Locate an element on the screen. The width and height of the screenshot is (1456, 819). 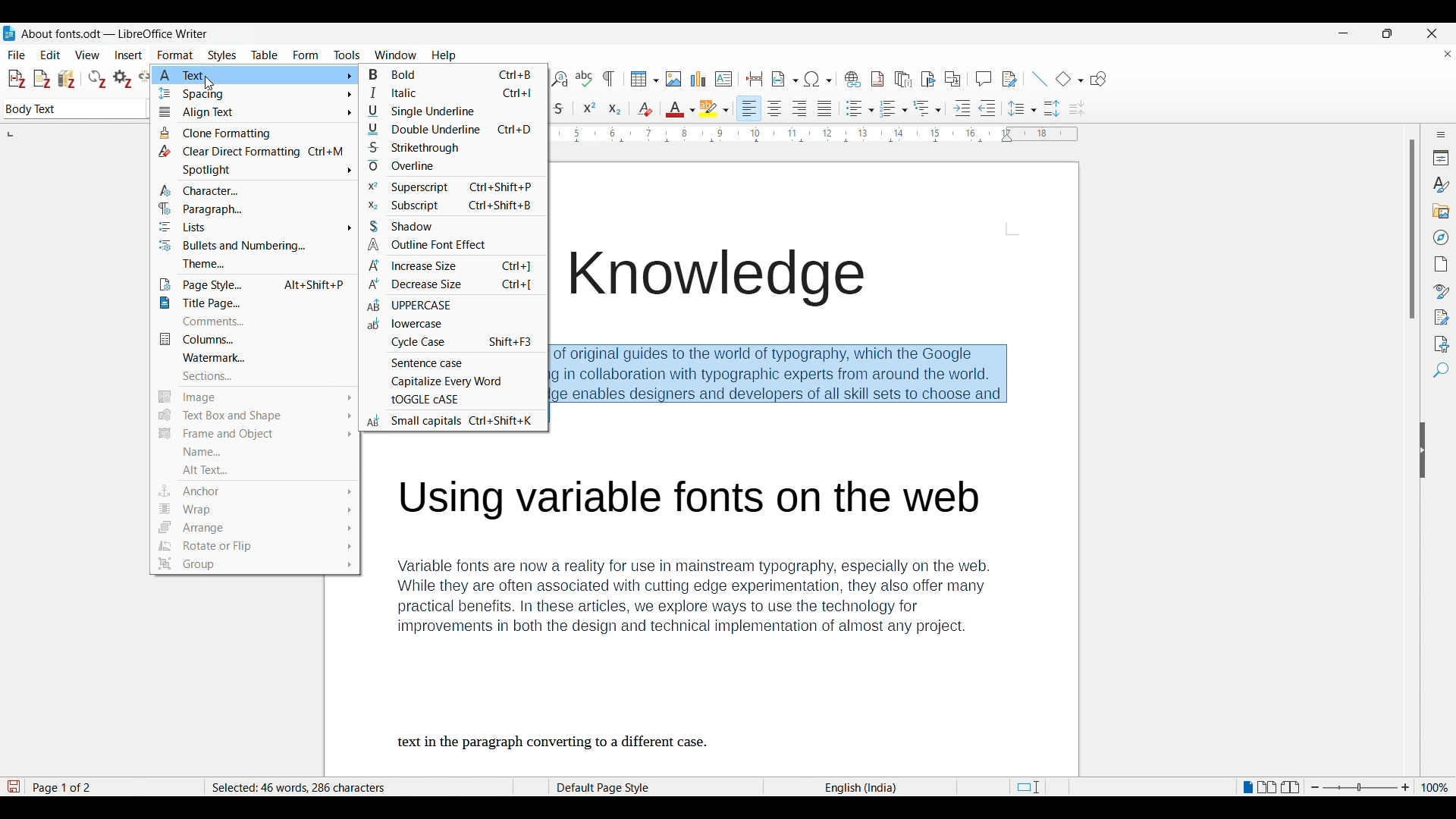
Sidebar settings is located at coordinates (1442, 134).